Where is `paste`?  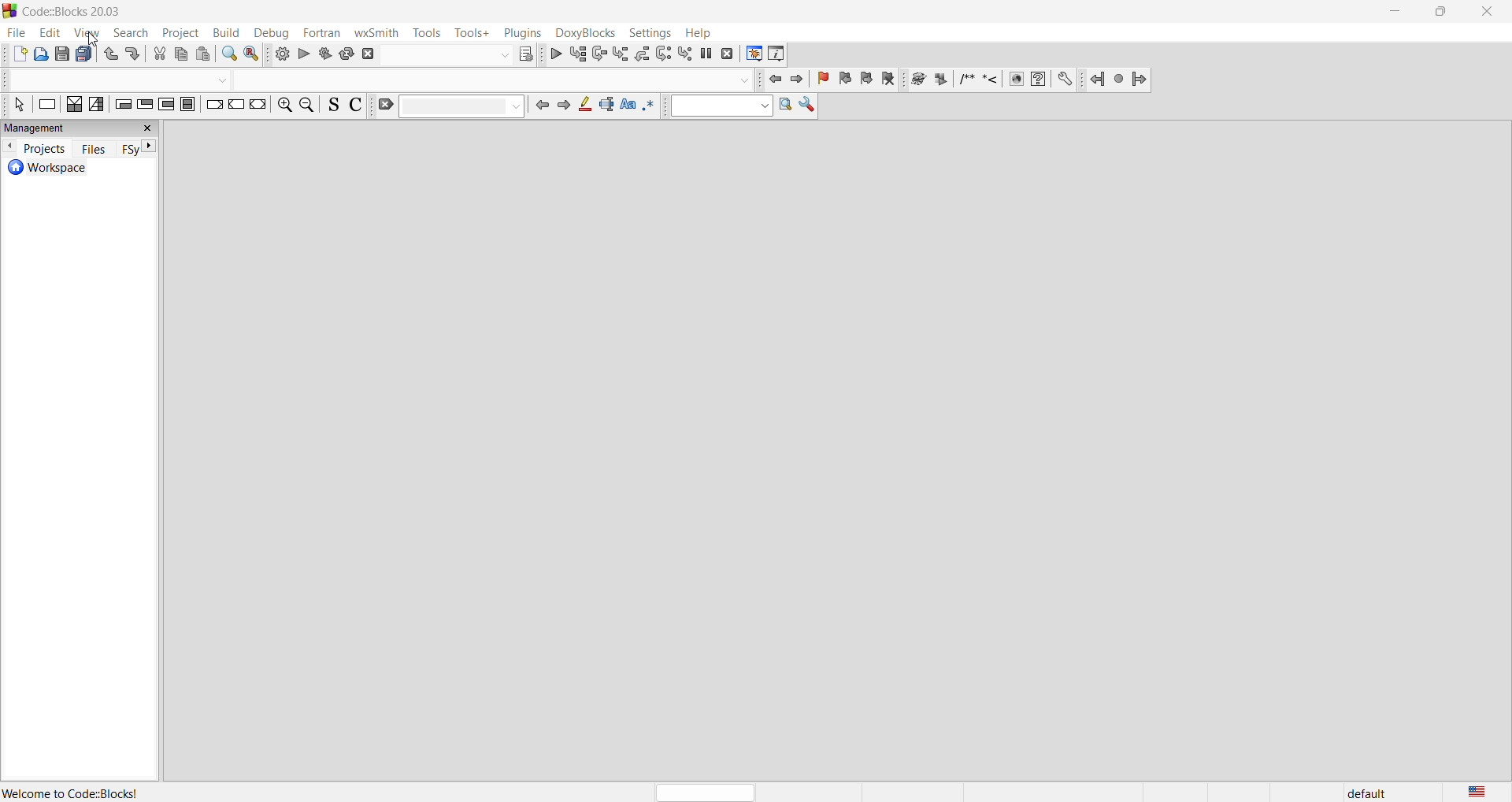
paste is located at coordinates (206, 54).